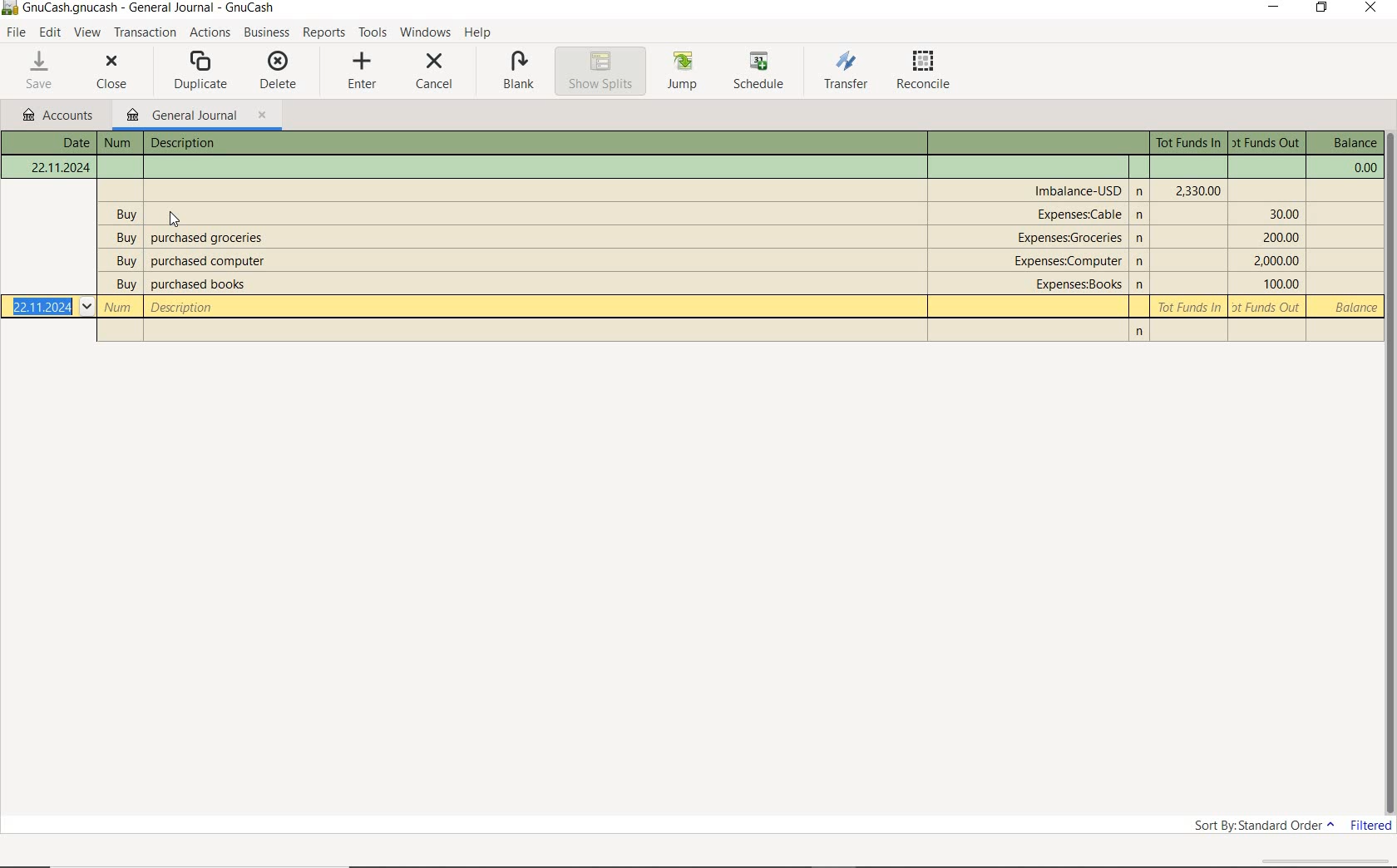 The width and height of the screenshot is (1397, 868). Describe the element at coordinates (693, 167) in the screenshot. I see `Text` at that location.